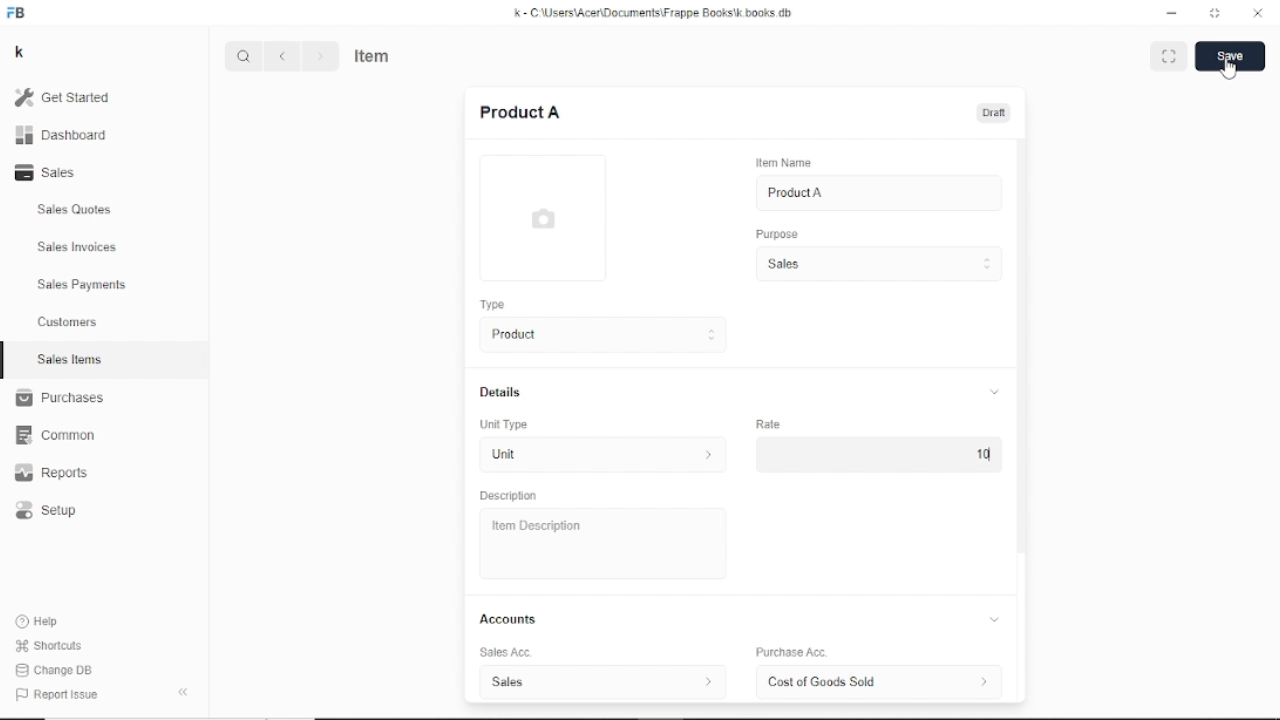 Image resolution: width=1280 pixels, height=720 pixels. Describe the element at coordinates (54, 693) in the screenshot. I see `Report issue` at that location.